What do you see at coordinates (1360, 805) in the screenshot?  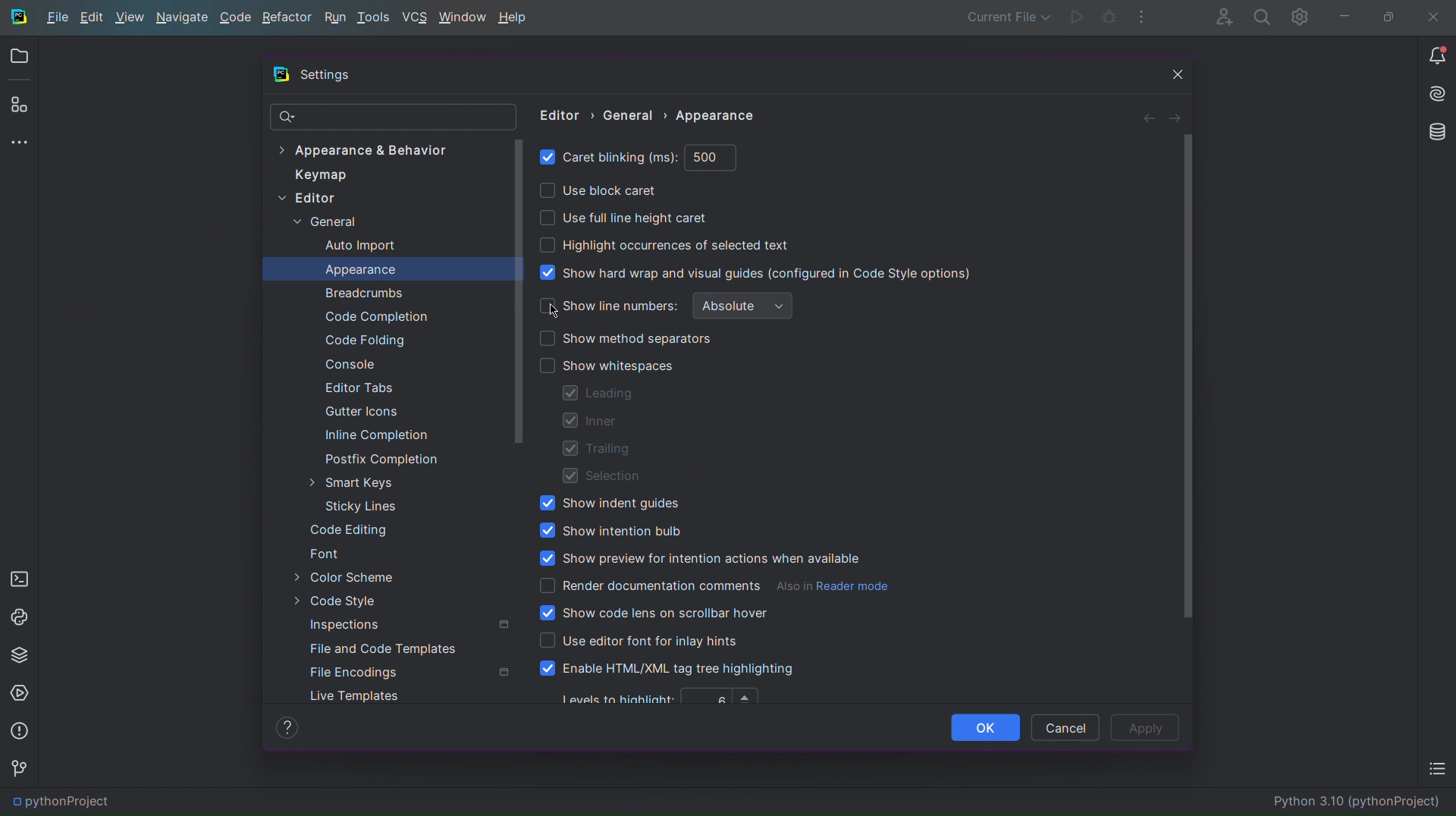 I see `Python 3.10 (pythonProject)` at bounding box center [1360, 805].